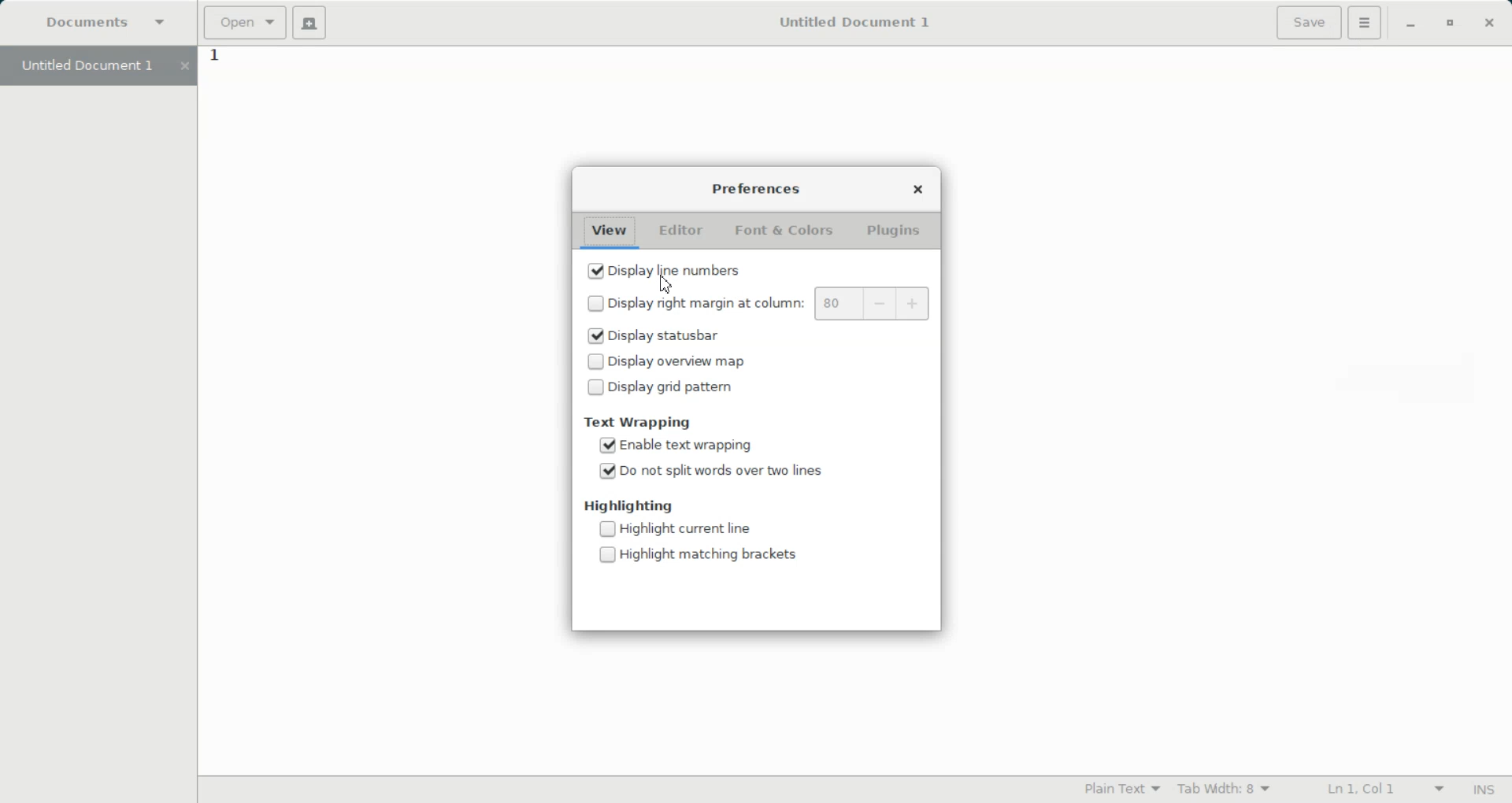  What do you see at coordinates (895, 231) in the screenshot?
I see `Plugins` at bounding box center [895, 231].